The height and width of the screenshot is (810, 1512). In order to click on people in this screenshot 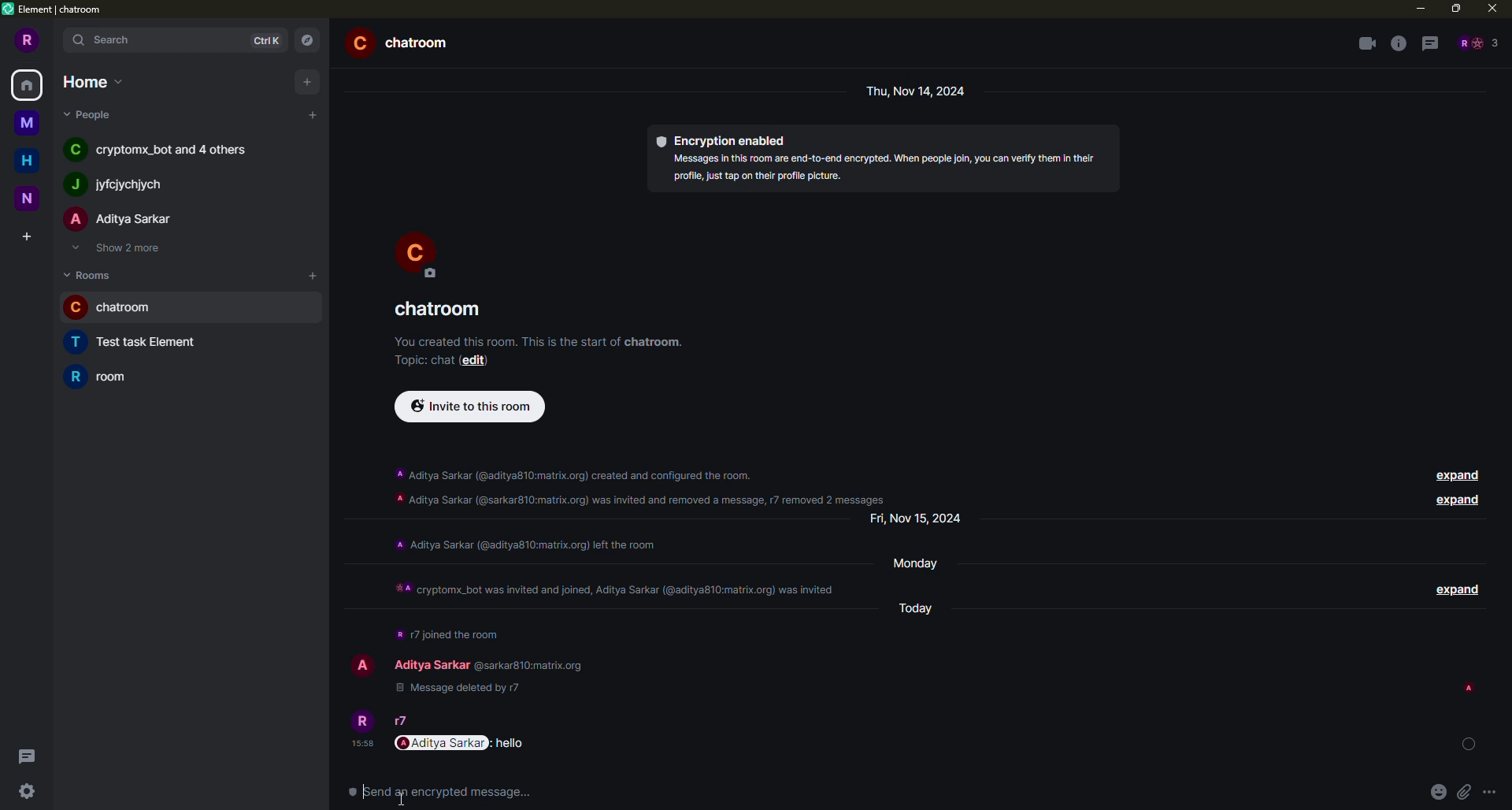, I will do `click(164, 151)`.